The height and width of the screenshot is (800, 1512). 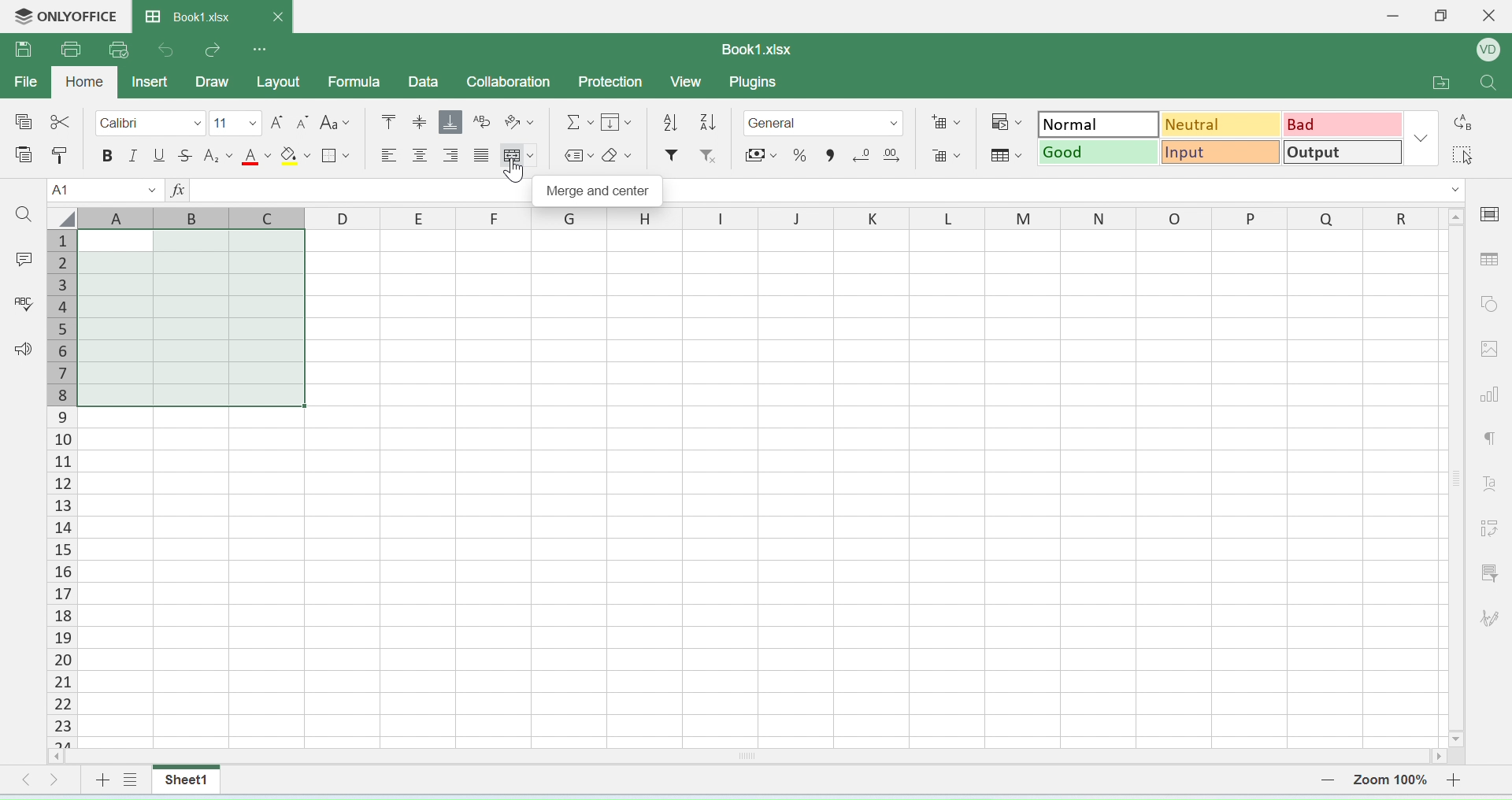 What do you see at coordinates (1397, 20) in the screenshot?
I see `minimise` at bounding box center [1397, 20].